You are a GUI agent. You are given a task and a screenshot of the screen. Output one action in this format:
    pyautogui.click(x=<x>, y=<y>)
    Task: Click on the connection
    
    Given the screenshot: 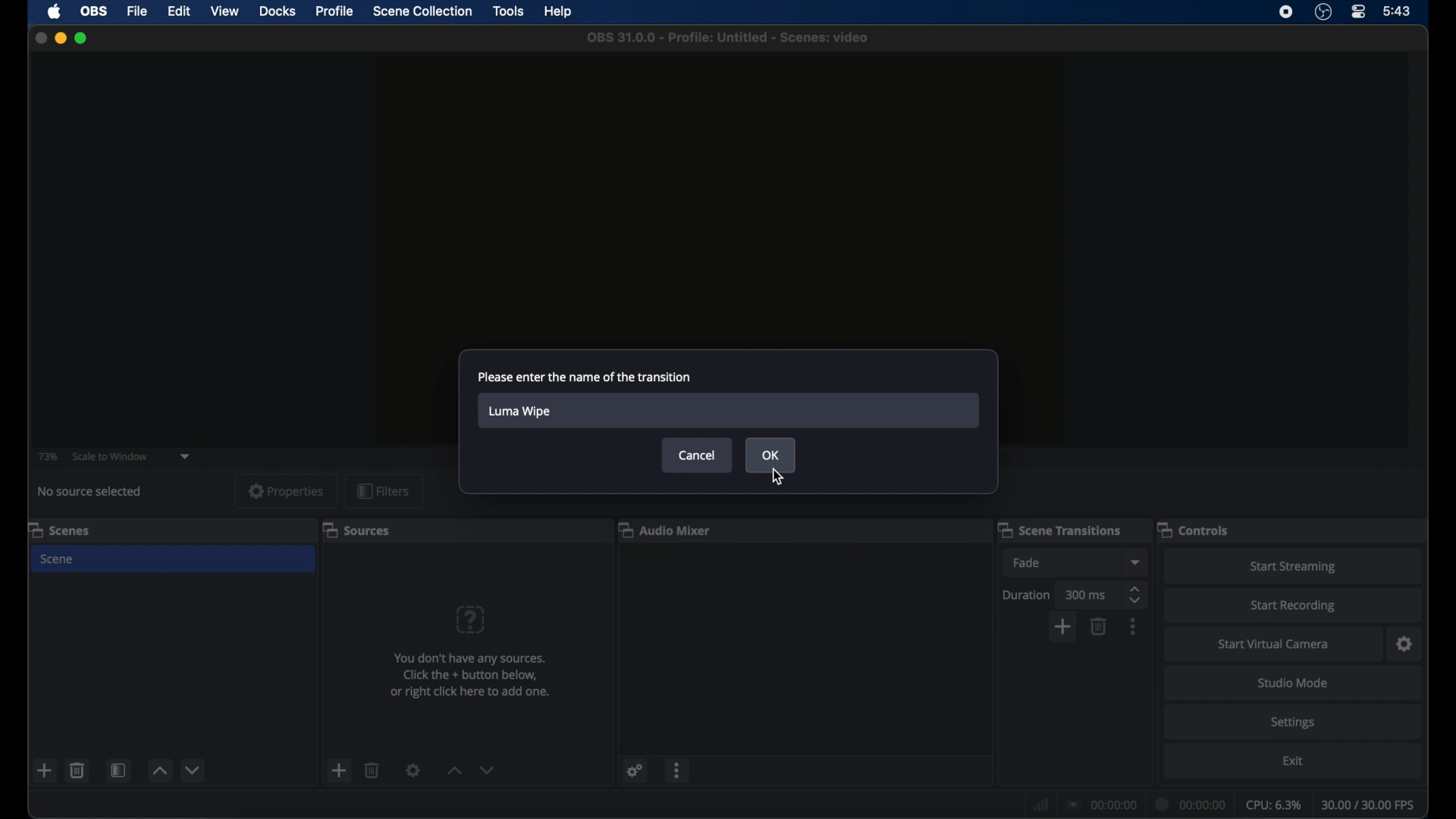 What is the action you would take?
    pyautogui.click(x=1103, y=805)
    